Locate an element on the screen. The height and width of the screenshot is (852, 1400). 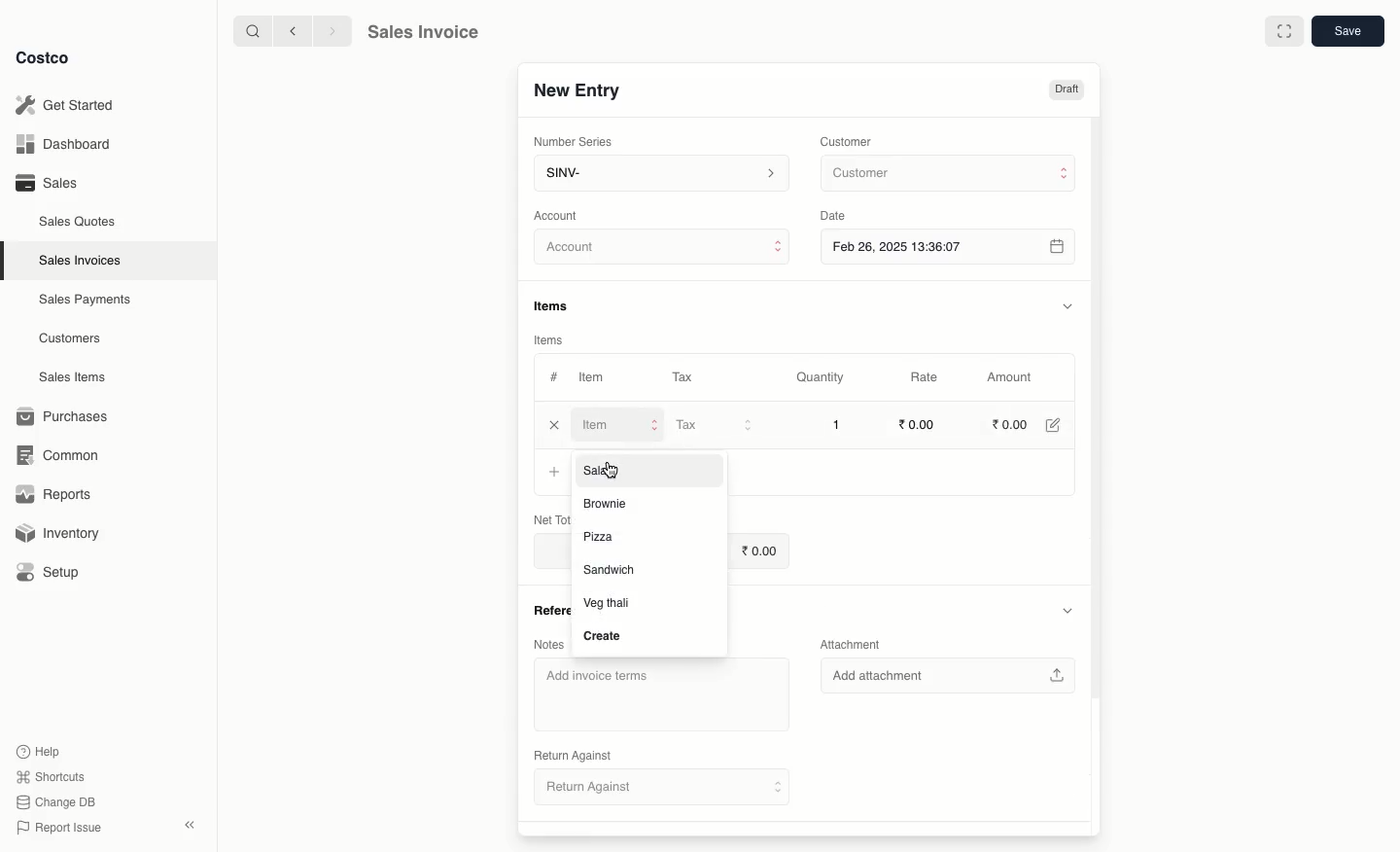
Sales is located at coordinates (46, 183).